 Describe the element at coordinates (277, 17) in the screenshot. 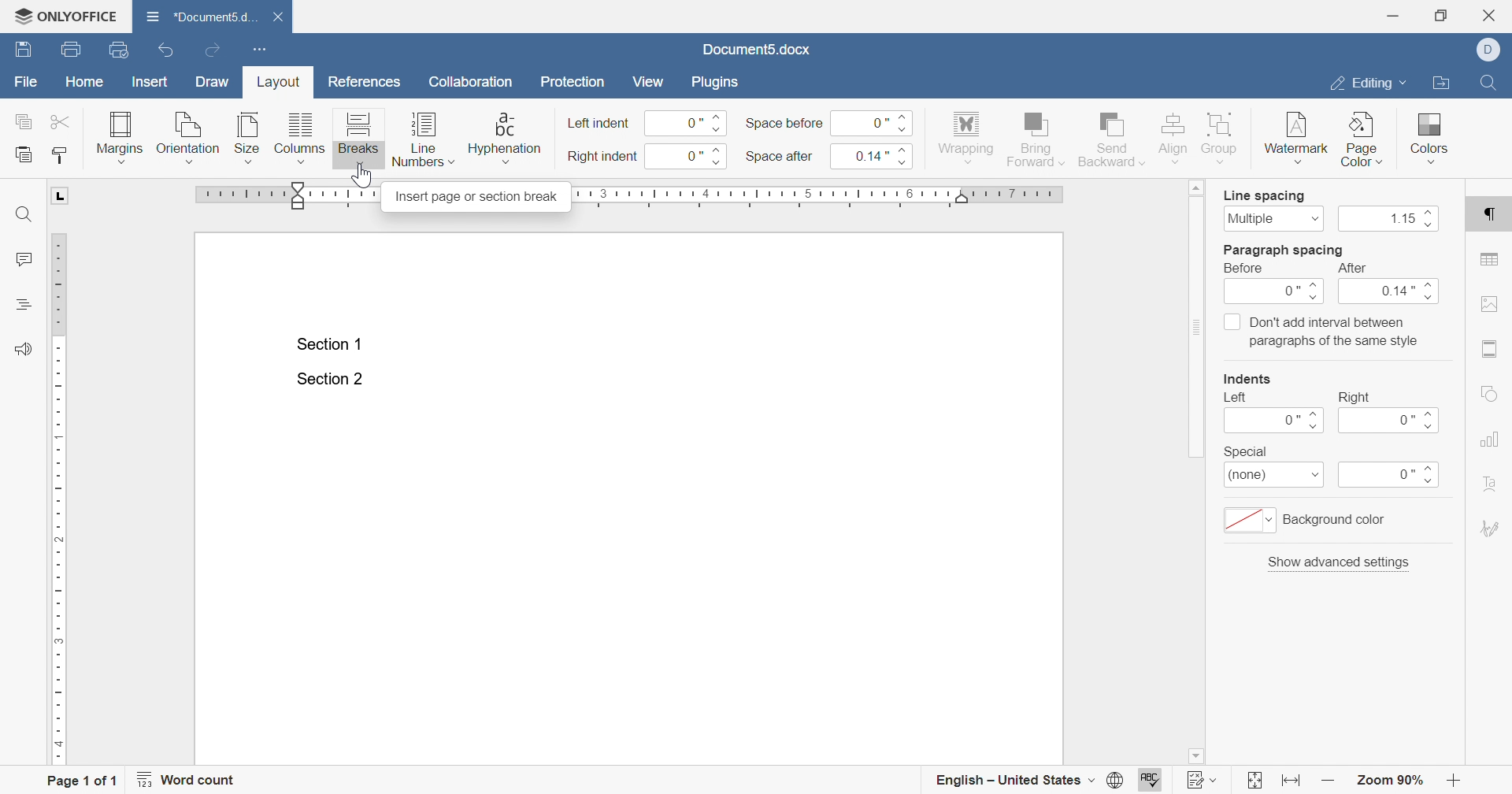

I see `close` at that location.